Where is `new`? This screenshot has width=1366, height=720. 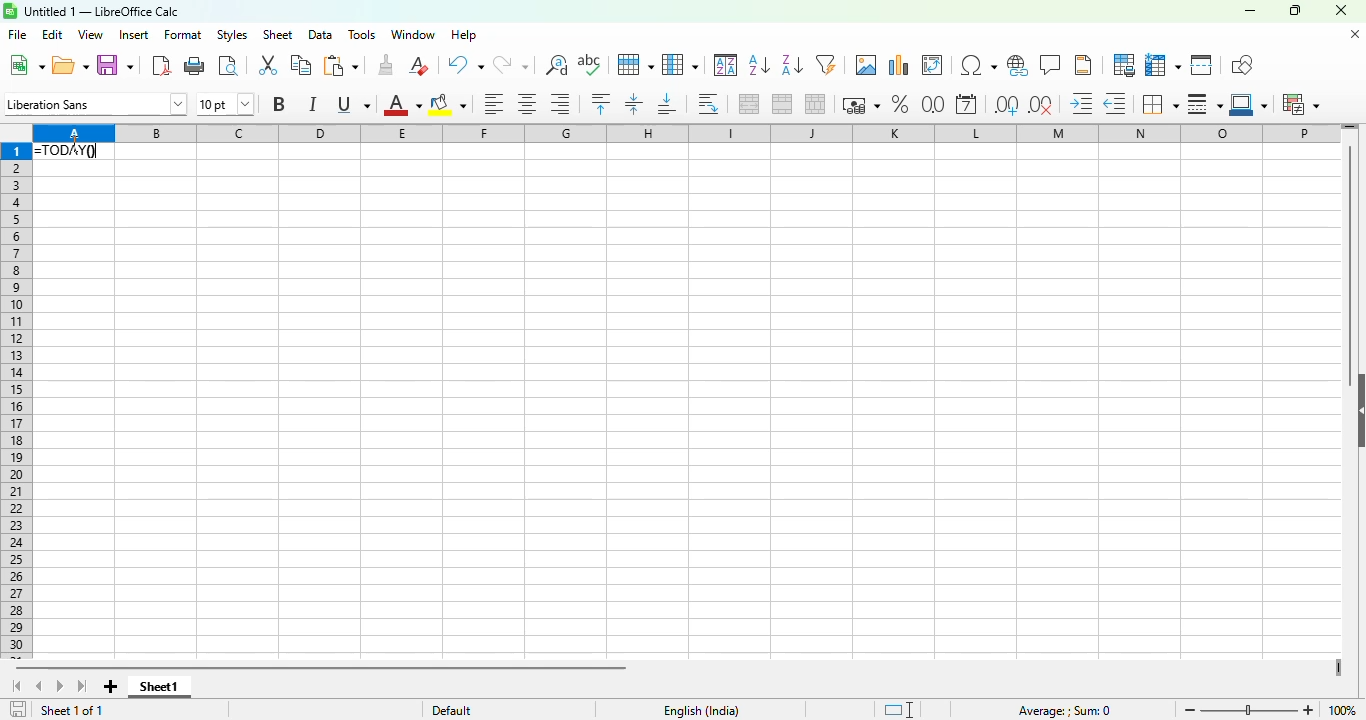 new is located at coordinates (26, 65).